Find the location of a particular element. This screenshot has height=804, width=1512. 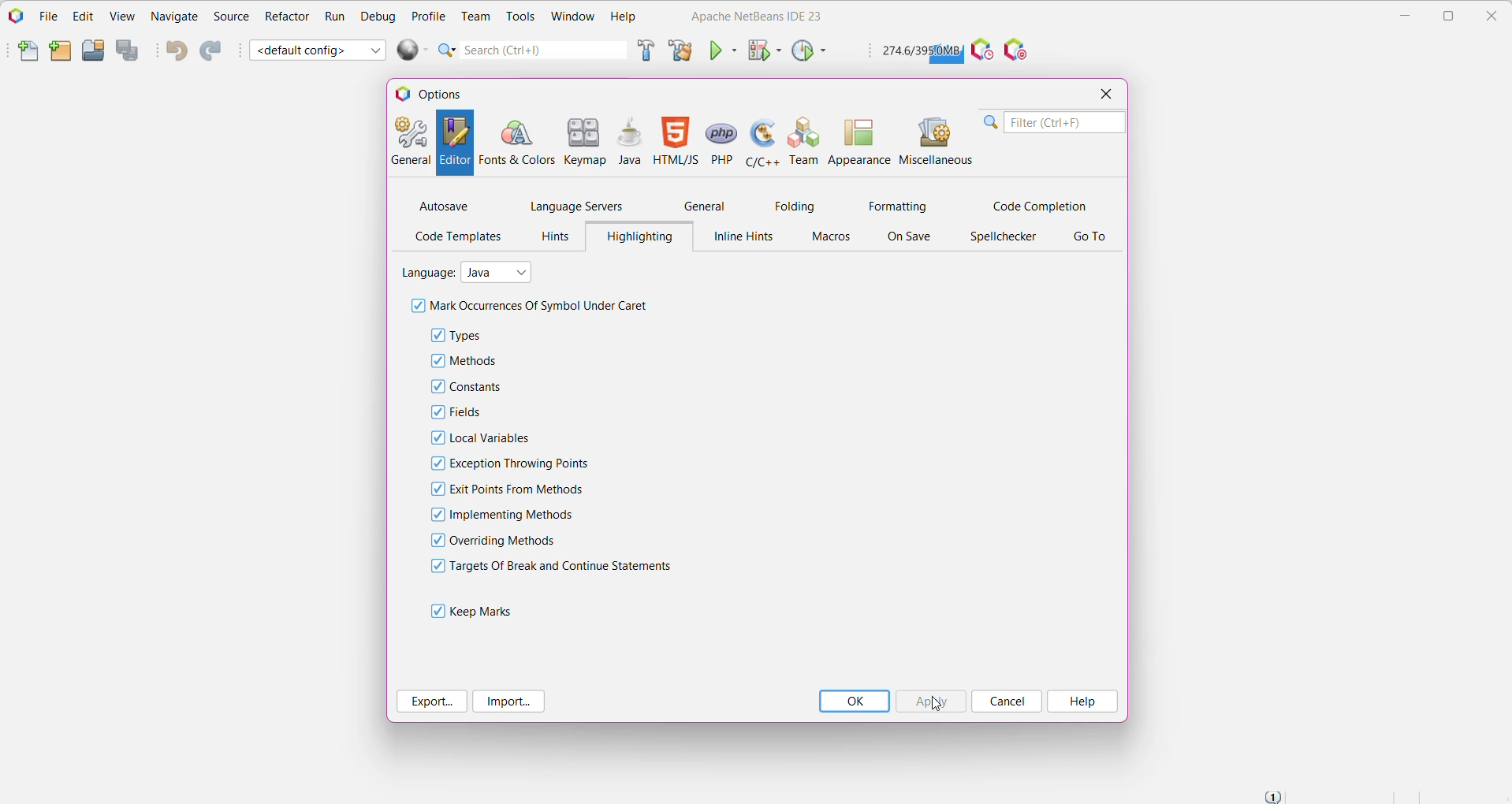

Implementing Methods - click ro enable is located at coordinates (518, 516).